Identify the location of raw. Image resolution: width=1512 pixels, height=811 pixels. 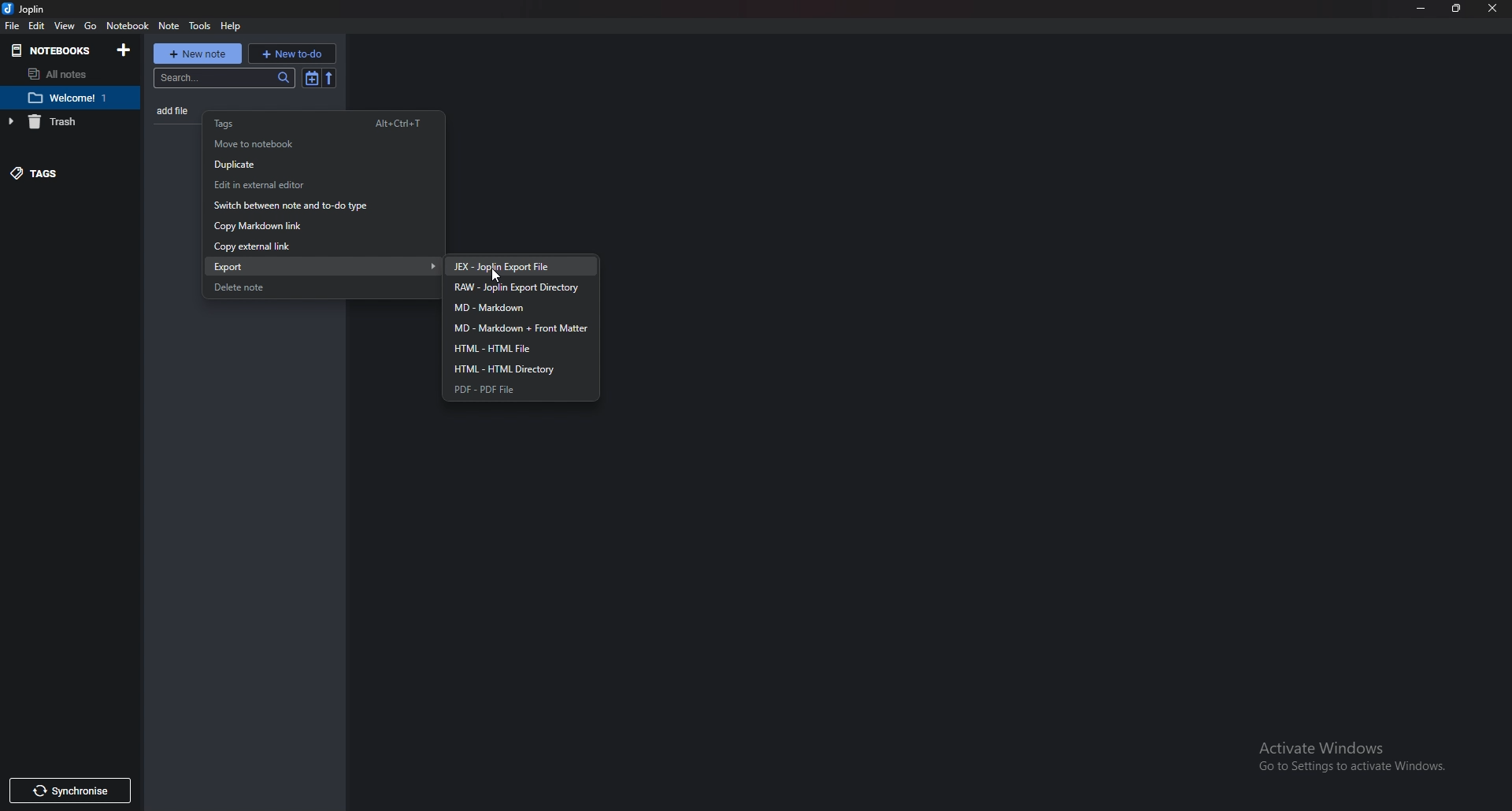
(526, 287).